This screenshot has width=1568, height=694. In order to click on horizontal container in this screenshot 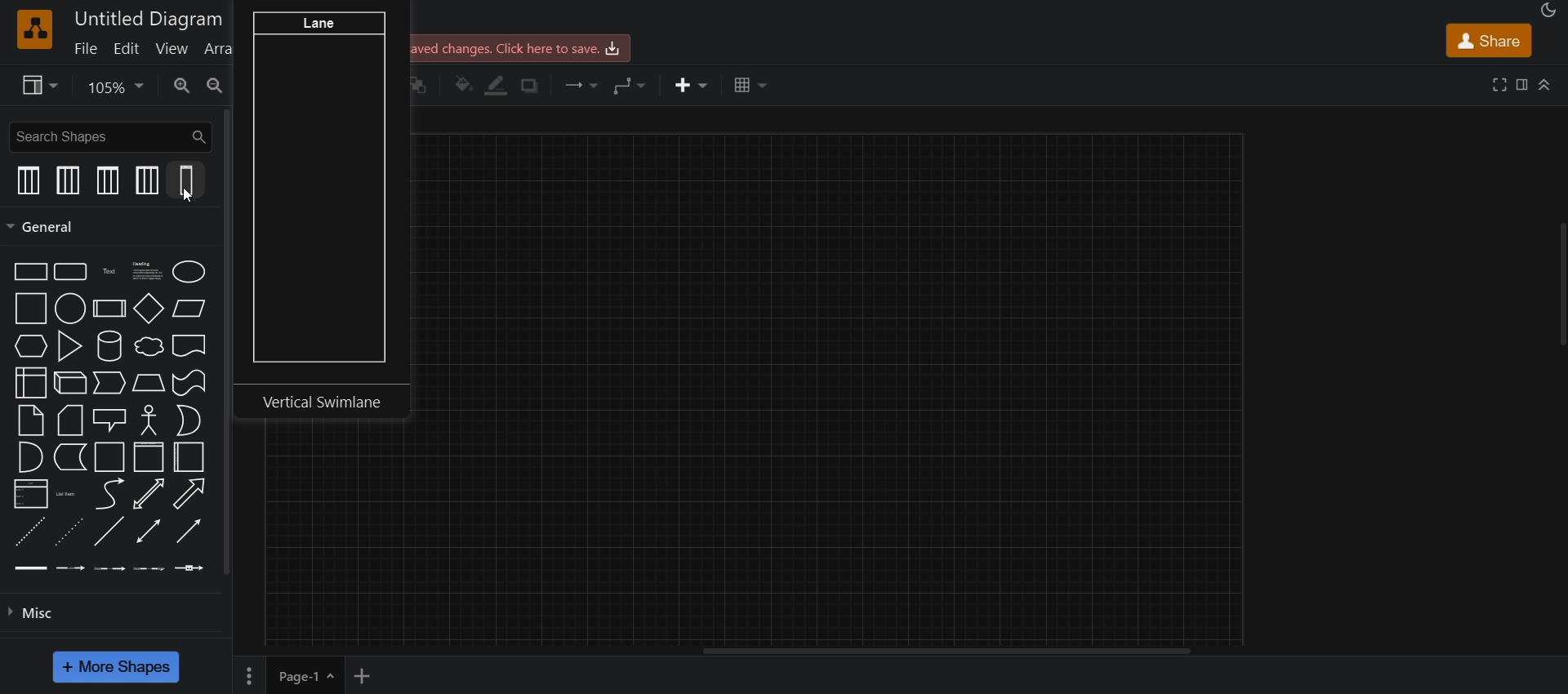, I will do `click(145, 457)`.